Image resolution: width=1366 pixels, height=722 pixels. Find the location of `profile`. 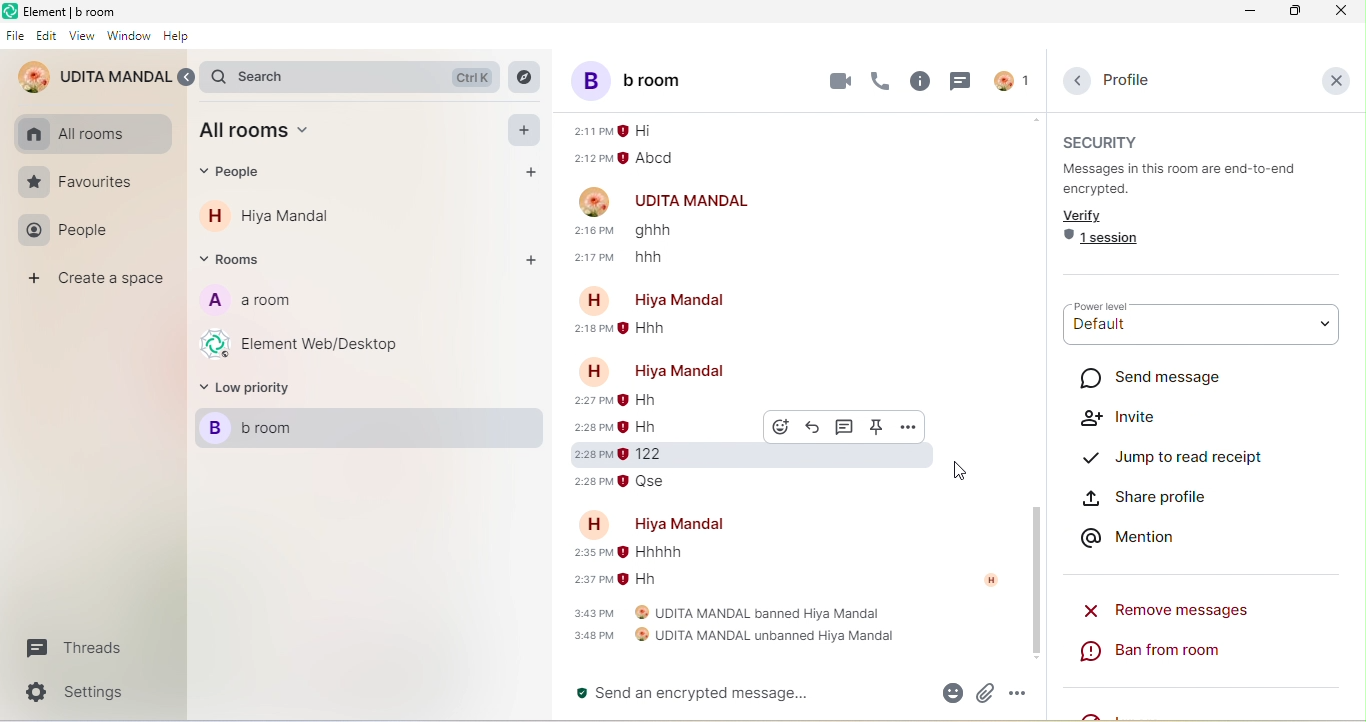

profile is located at coordinates (1124, 80).